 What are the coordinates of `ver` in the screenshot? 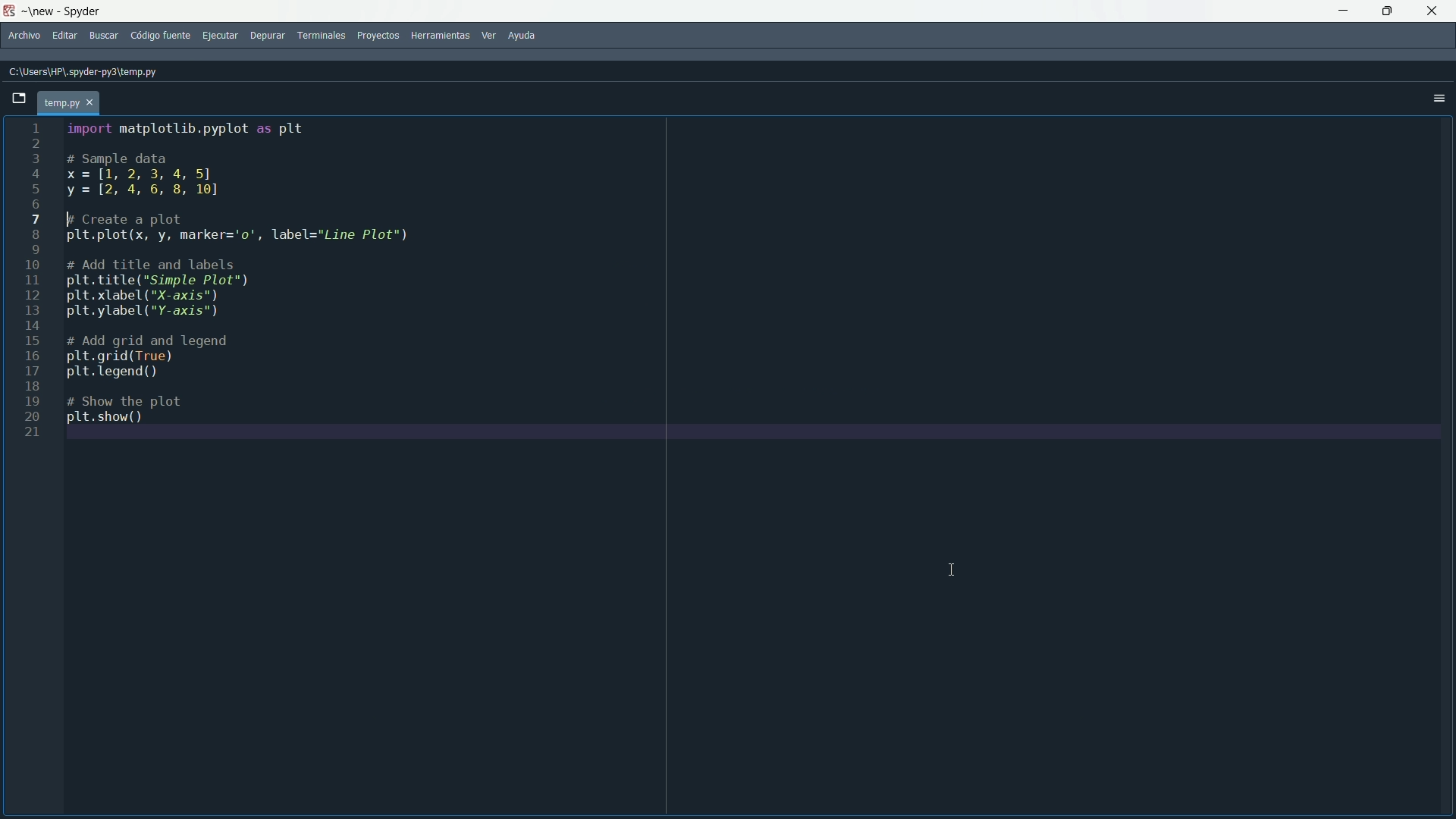 It's located at (488, 36).